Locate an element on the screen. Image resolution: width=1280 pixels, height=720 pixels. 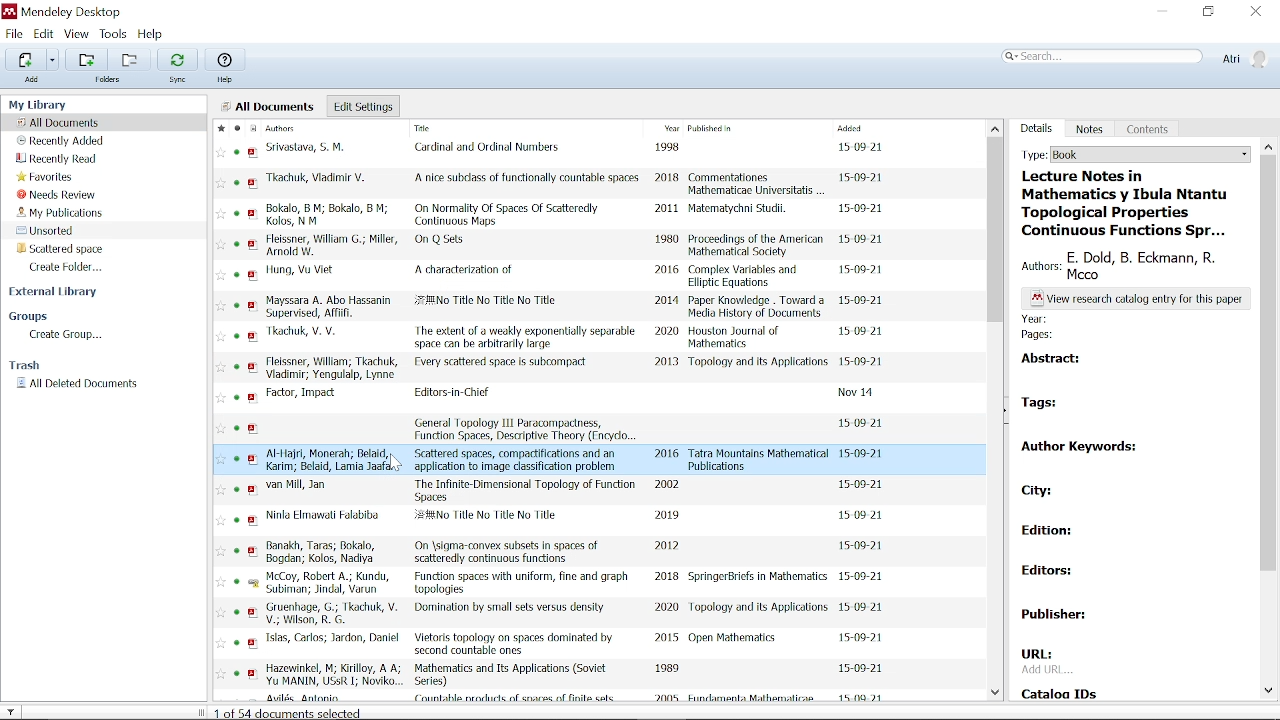
My publications is located at coordinates (59, 212).